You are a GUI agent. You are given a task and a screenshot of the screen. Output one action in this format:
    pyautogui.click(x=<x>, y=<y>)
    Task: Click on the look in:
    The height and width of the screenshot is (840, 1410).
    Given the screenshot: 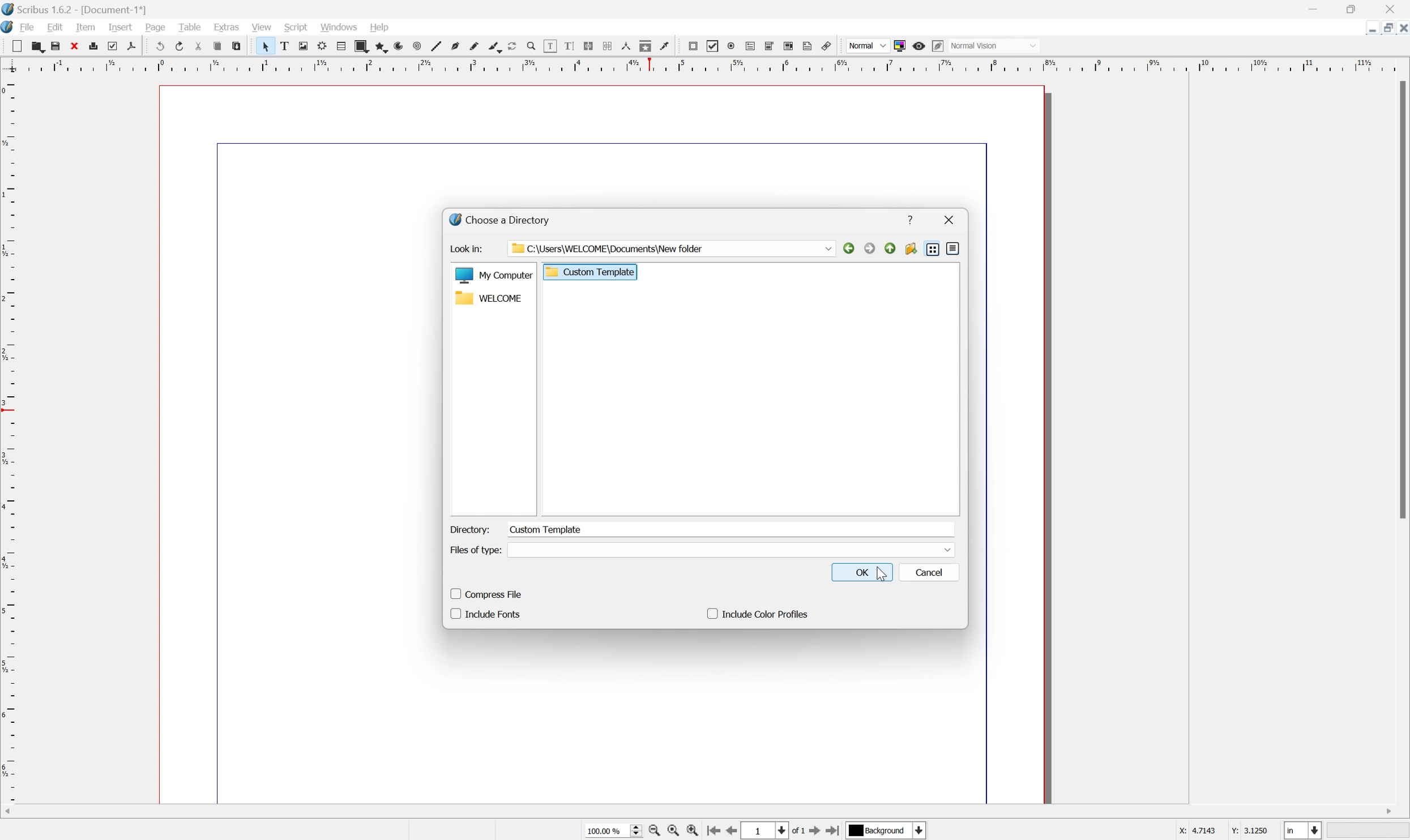 What is the action you would take?
    pyautogui.click(x=465, y=248)
    